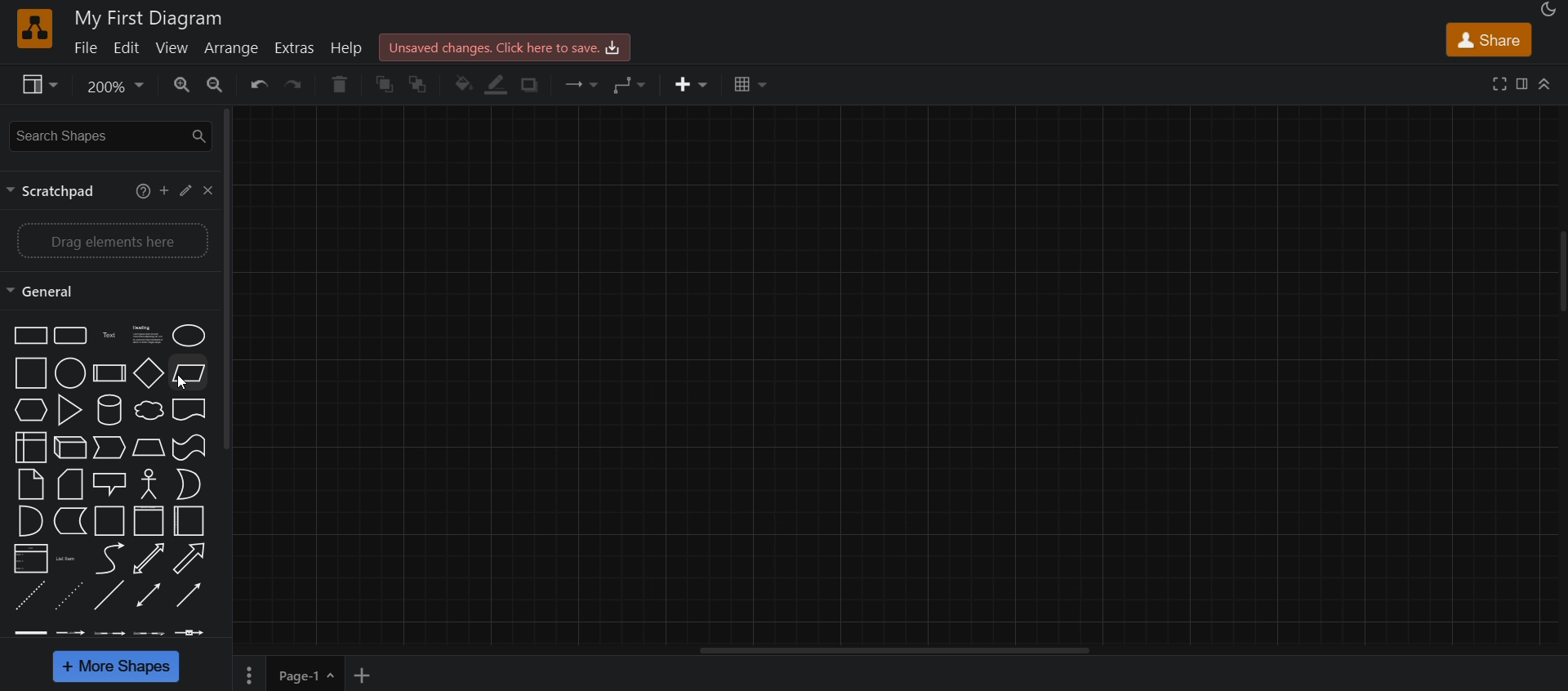 The height and width of the screenshot is (691, 1568). What do you see at coordinates (85, 47) in the screenshot?
I see `file` at bounding box center [85, 47].